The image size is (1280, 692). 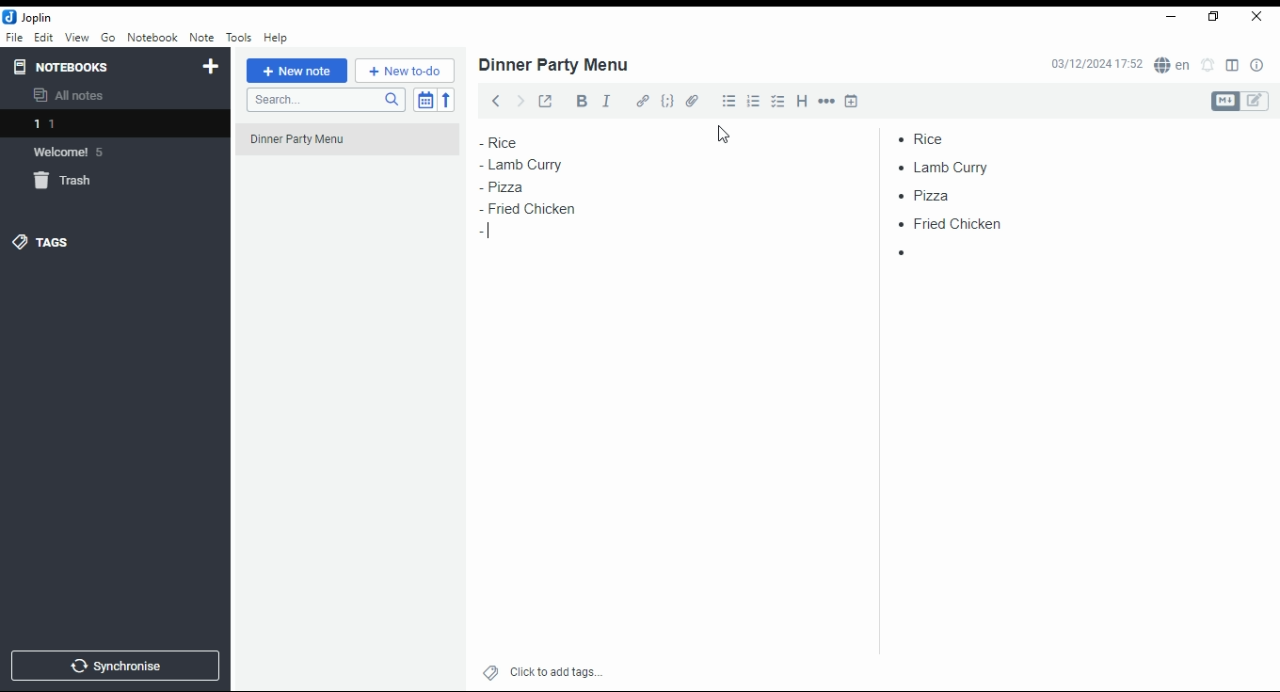 I want to click on numbered list, so click(x=756, y=101).